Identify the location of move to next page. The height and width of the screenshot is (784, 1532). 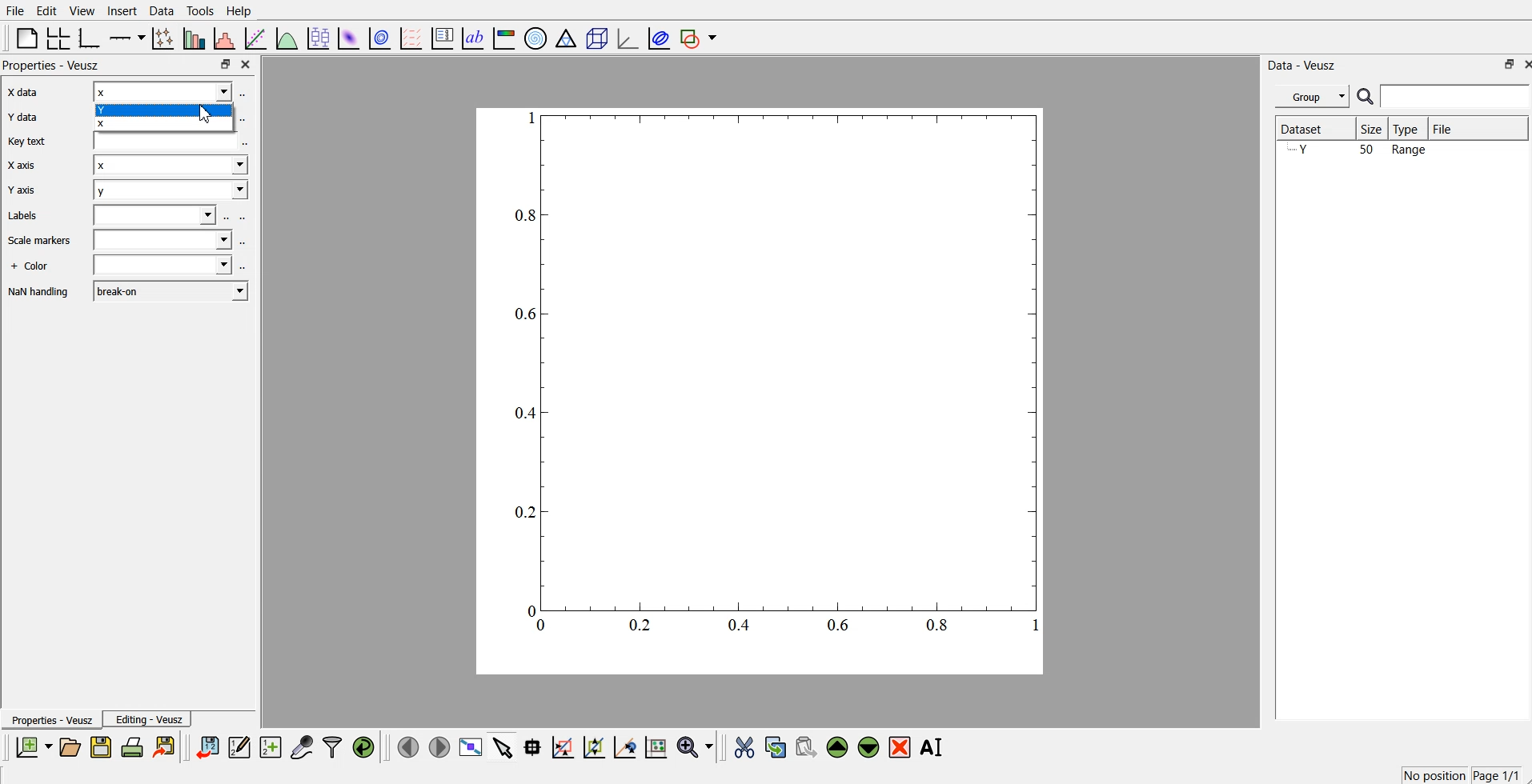
(439, 746).